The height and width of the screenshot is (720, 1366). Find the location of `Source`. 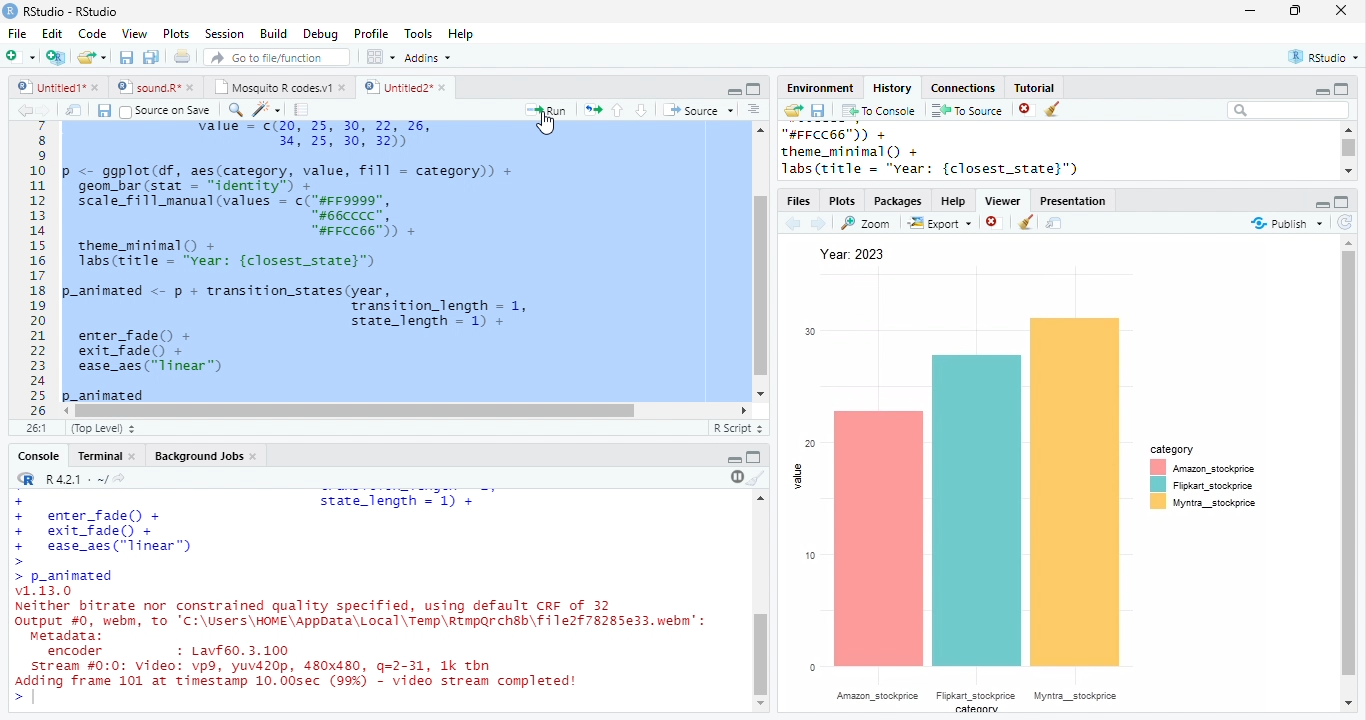

Source is located at coordinates (698, 109).